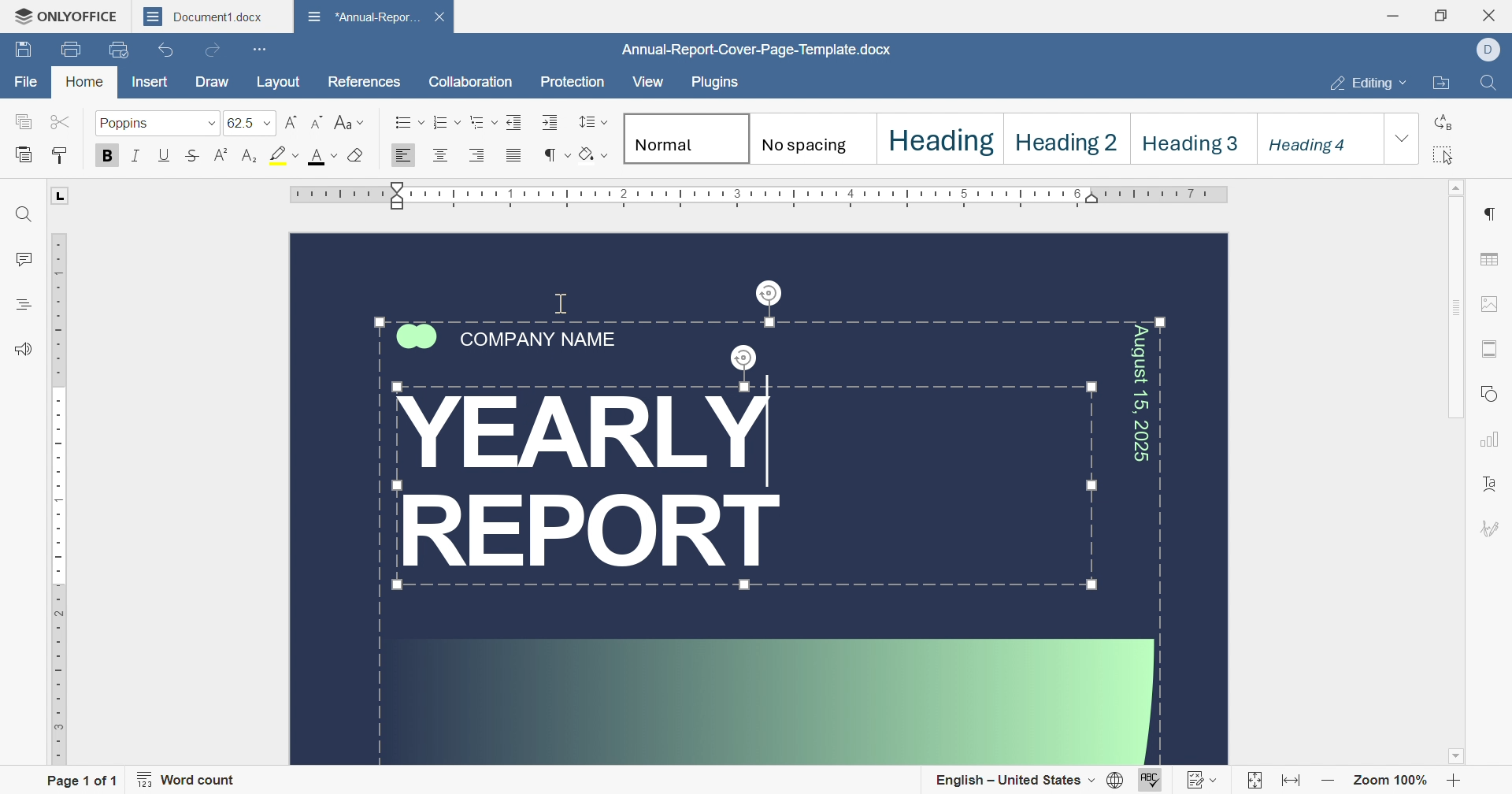  Describe the element at coordinates (523, 433) in the screenshot. I see `typing cursor` at that location.